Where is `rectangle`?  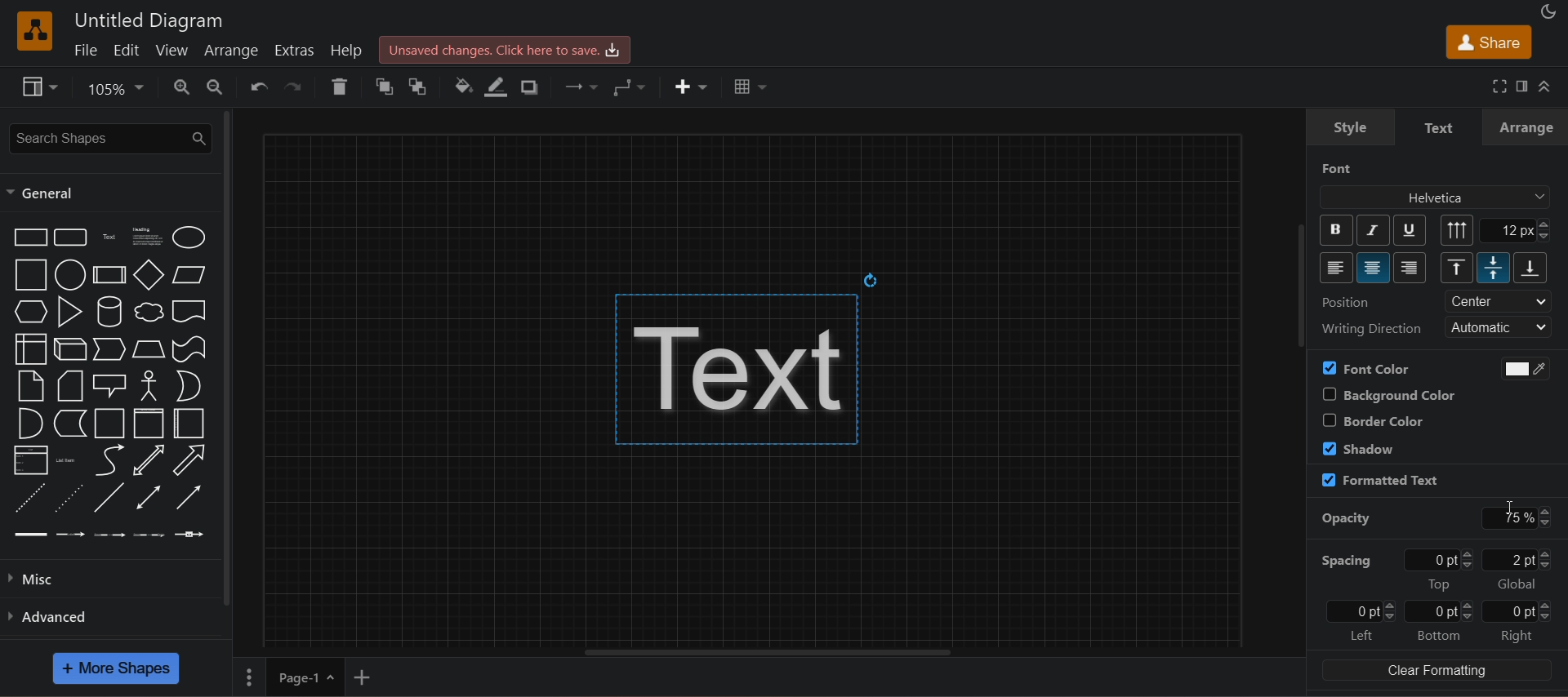
rectangle is located at coordinates (29, 237).